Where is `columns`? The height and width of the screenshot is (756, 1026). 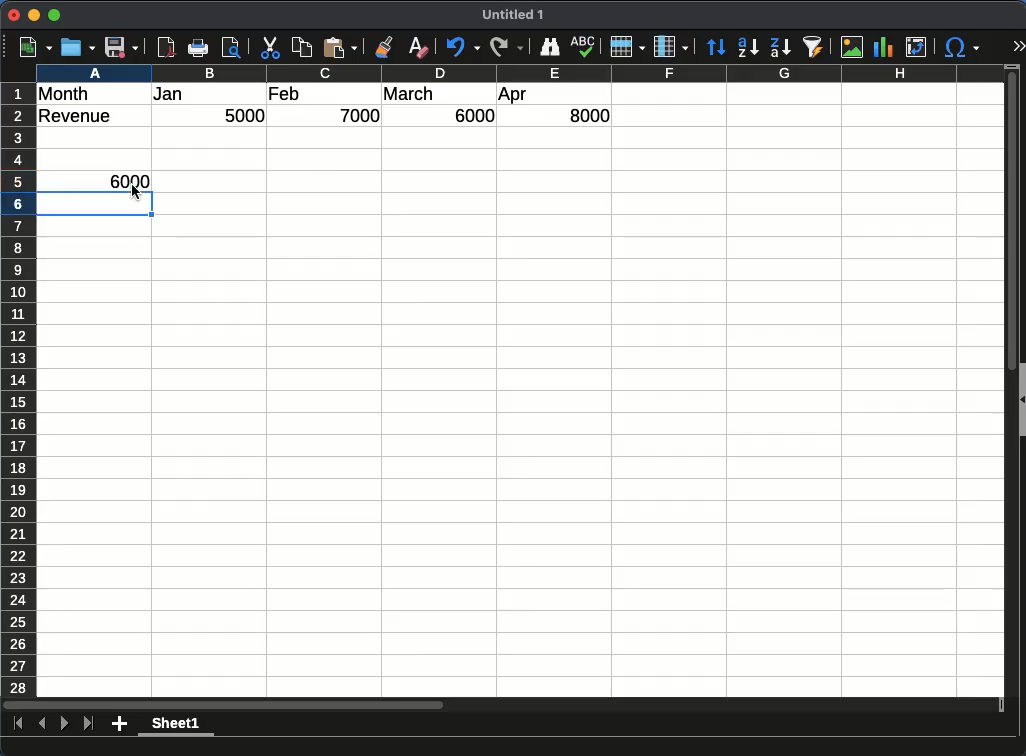 columns is located at coordinates (520, 73).